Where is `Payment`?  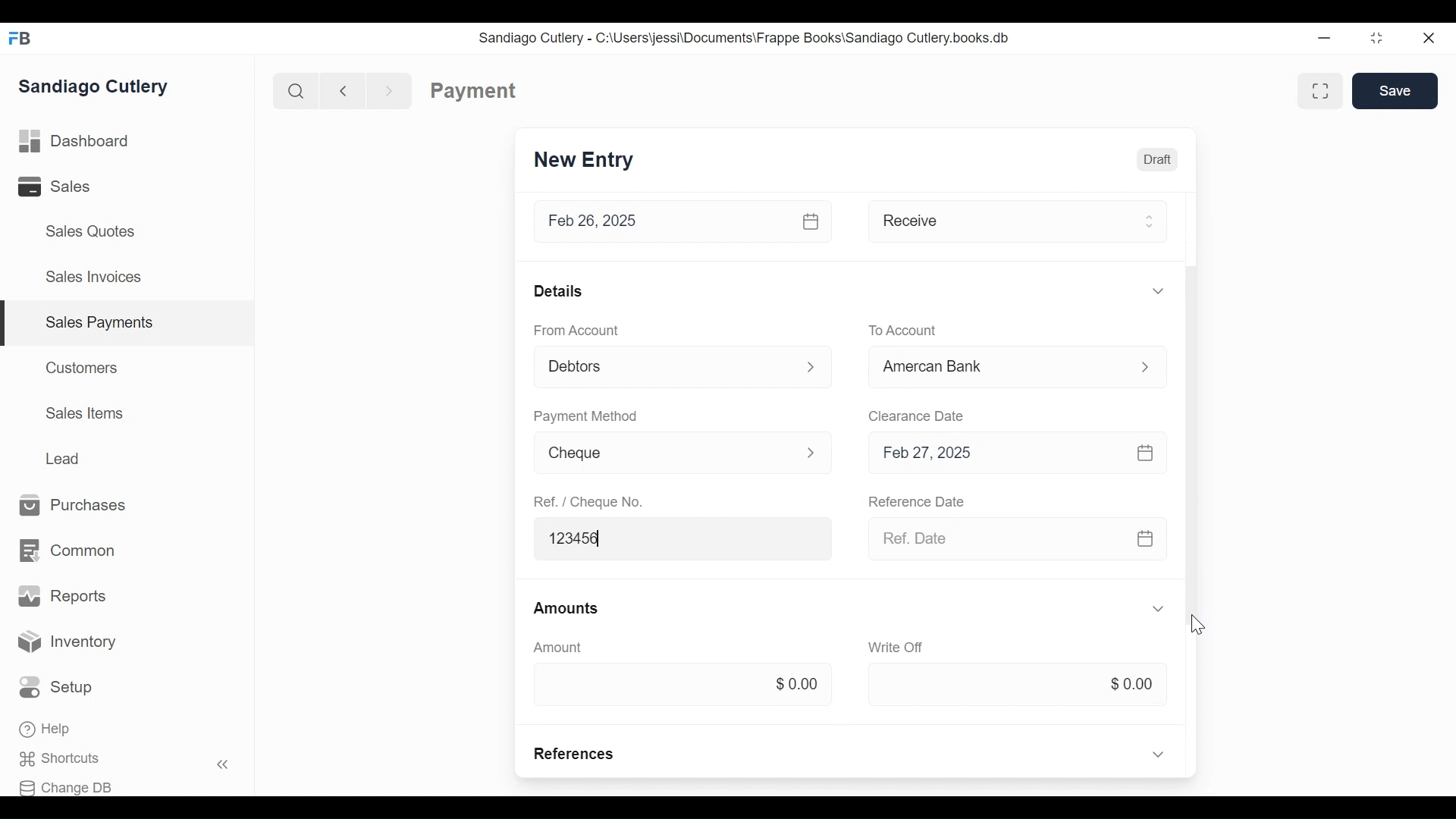
Payment is located at coordinates (474, 91).